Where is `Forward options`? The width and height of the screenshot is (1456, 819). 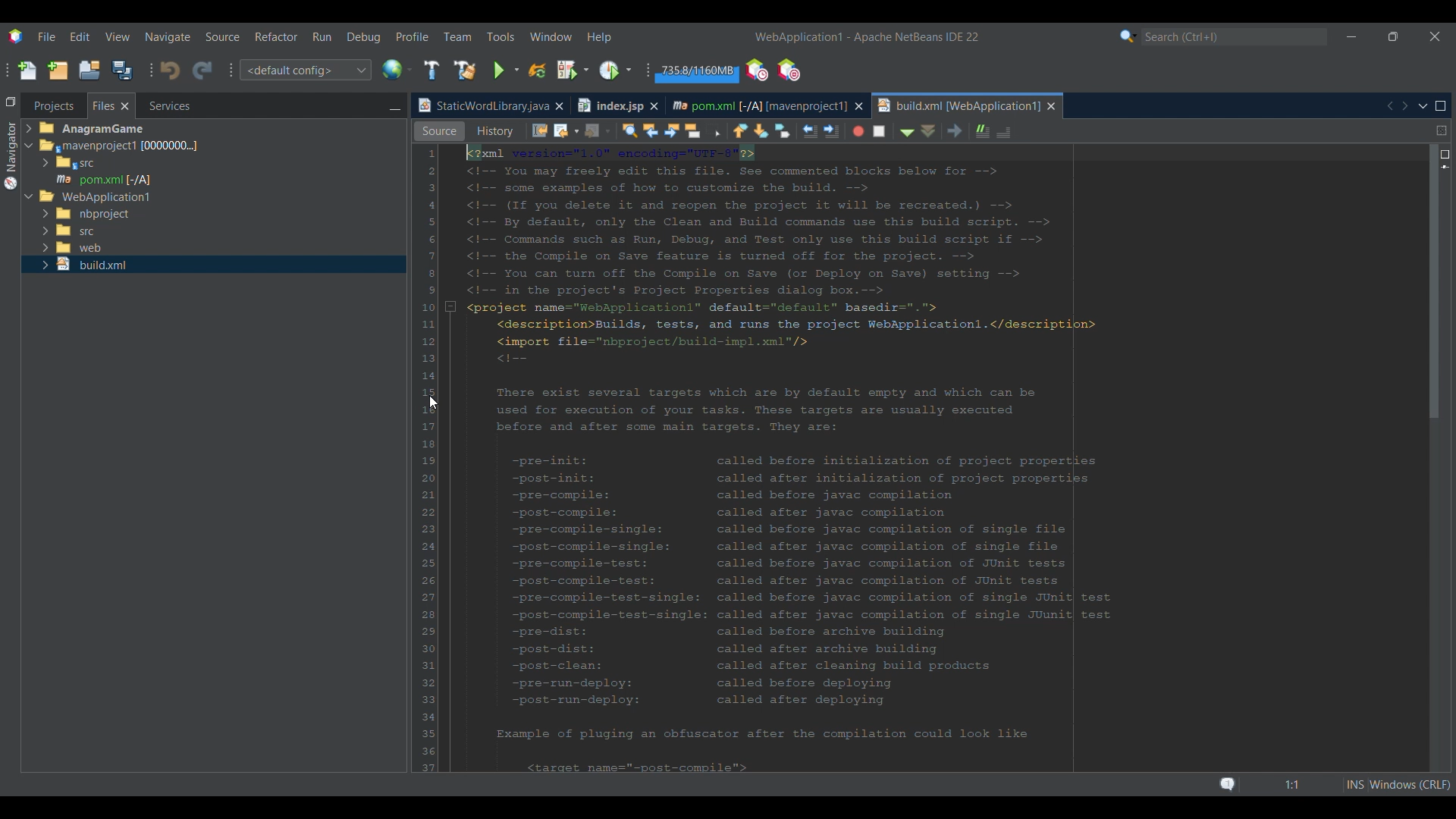
Forward options is located at coordinates (730, 130).